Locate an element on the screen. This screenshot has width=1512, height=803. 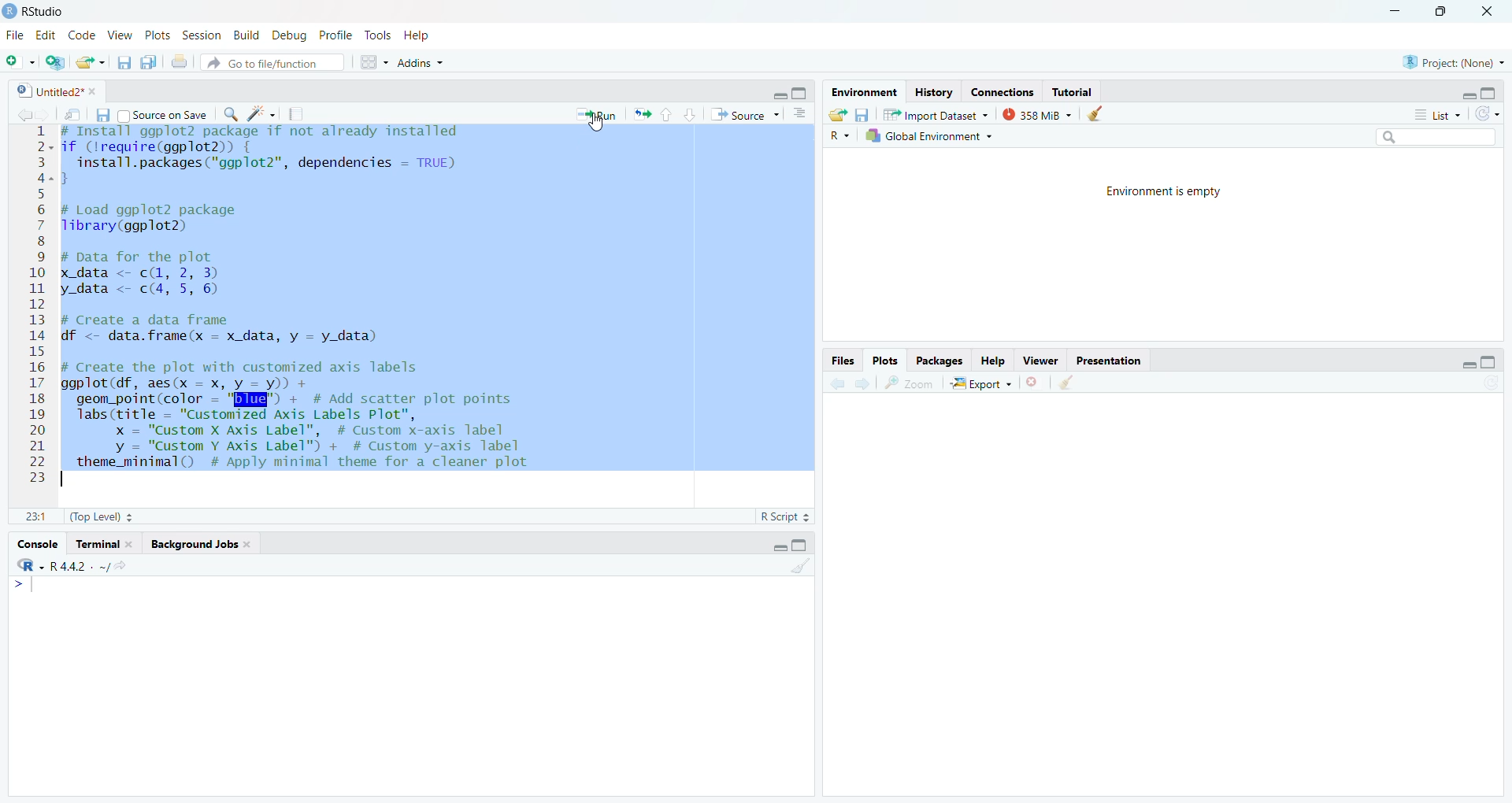
, R442 « ~/ is located at coordinates (71, 564).